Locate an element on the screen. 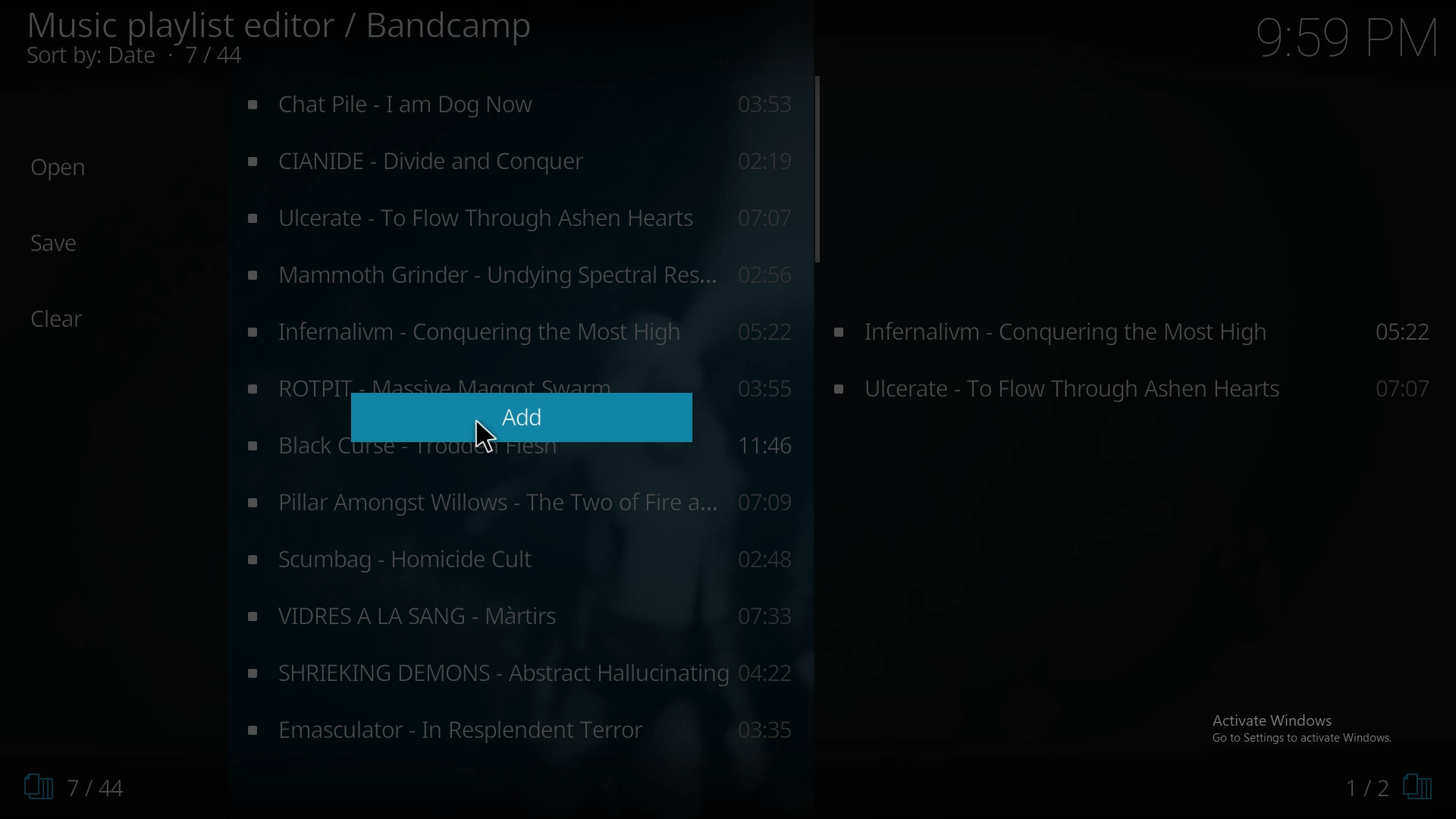 This screenshot has height=819, width=1456. Save is located at coordinates (57, 243).